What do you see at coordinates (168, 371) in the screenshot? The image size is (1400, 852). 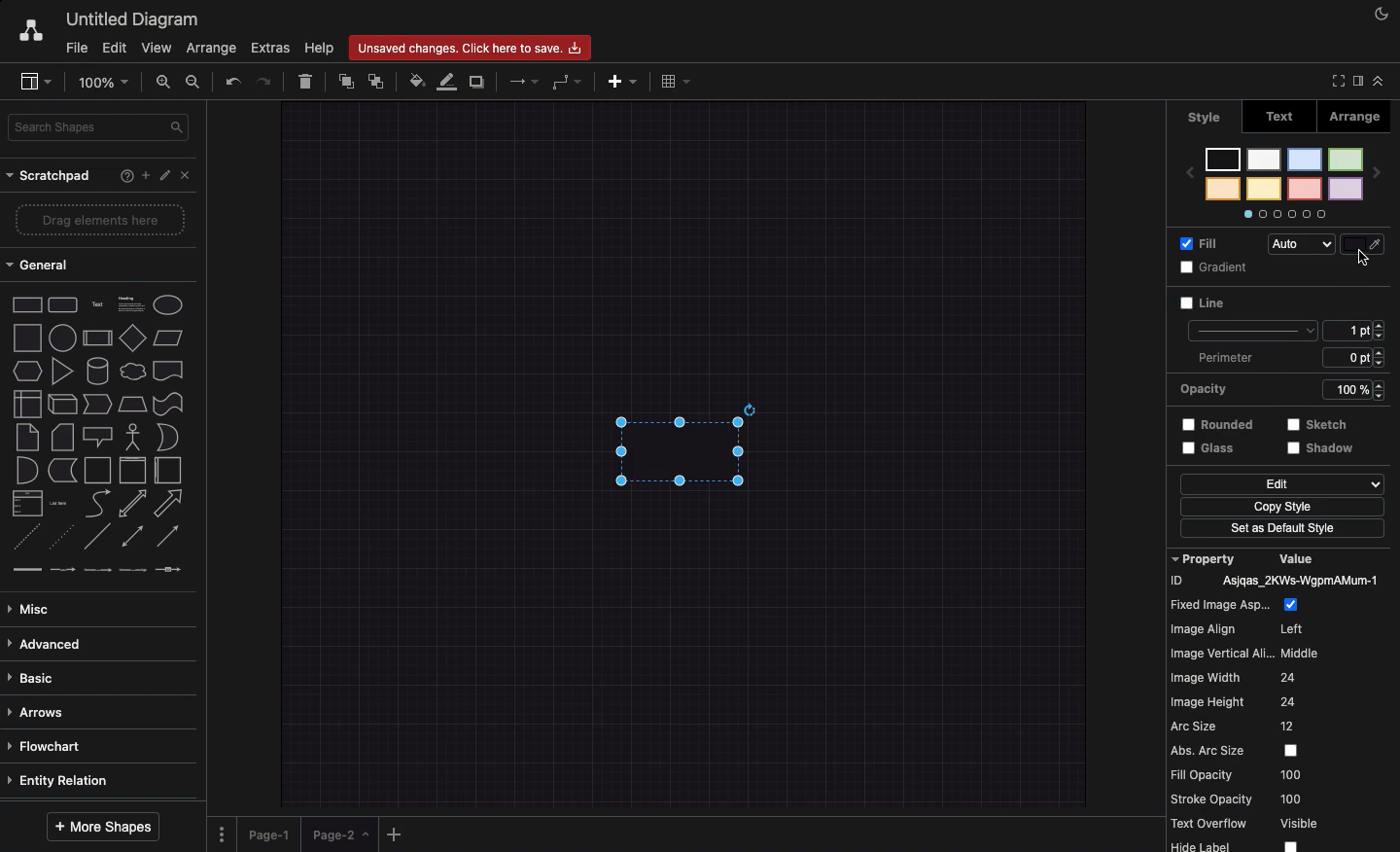 I see `document` at bounding box center [168, 371].